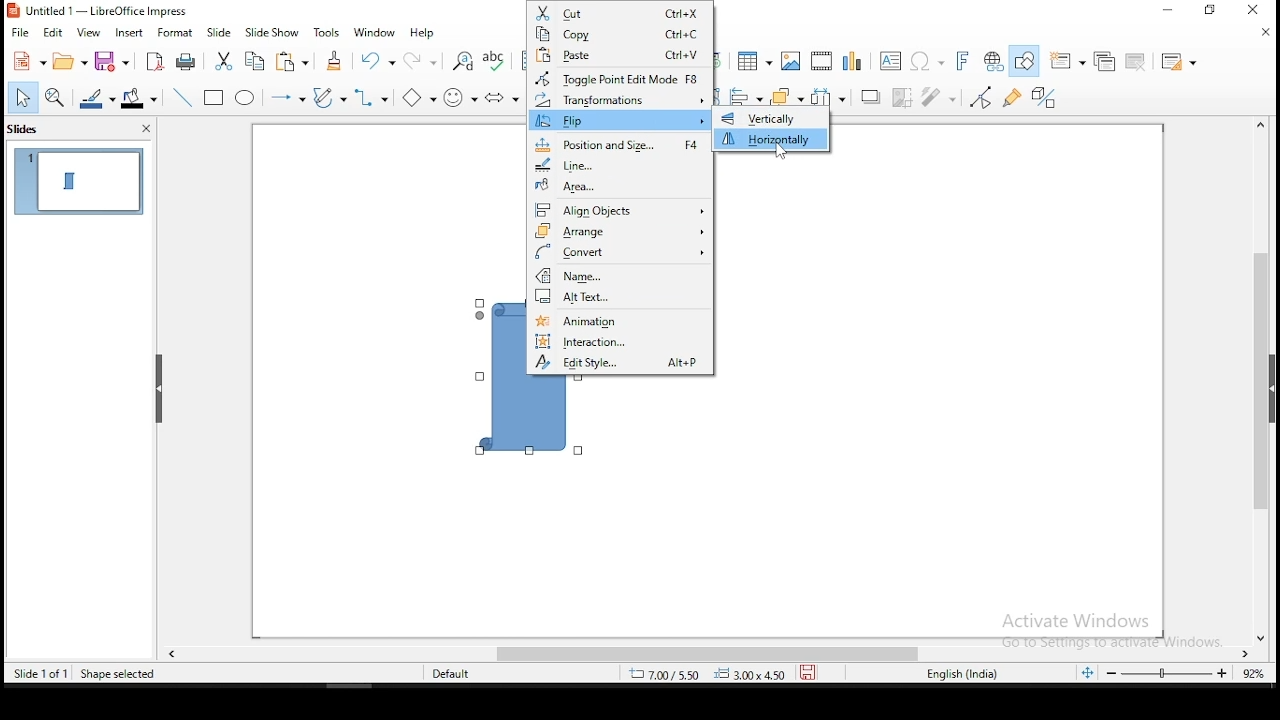  Describe the element at coordinates (928, 59) in the screenshot. I see `insert special characters` at that location.